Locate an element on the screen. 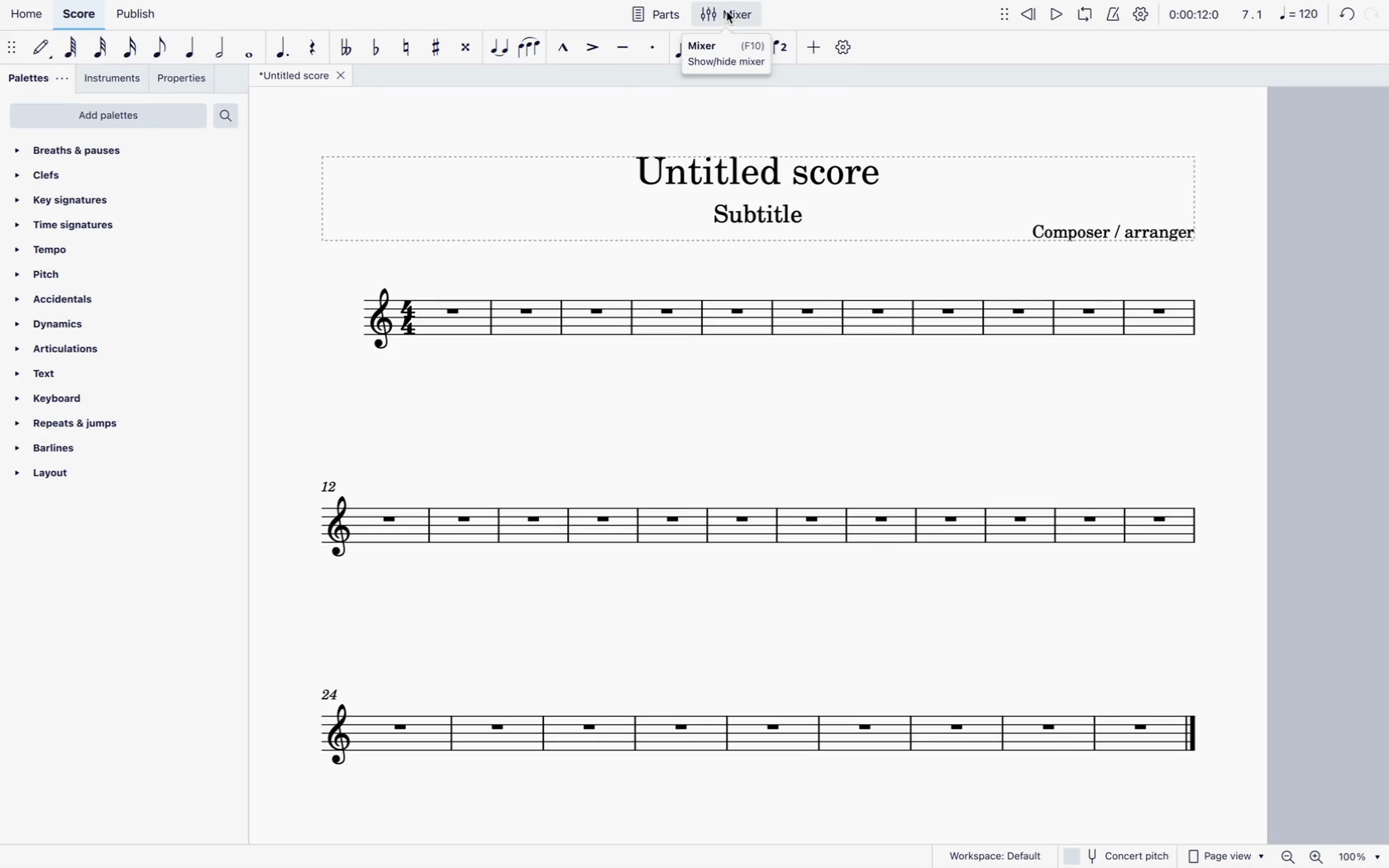 This screenshot has width=1389, height=868. toggle flat is located at coordinates (376, 45).